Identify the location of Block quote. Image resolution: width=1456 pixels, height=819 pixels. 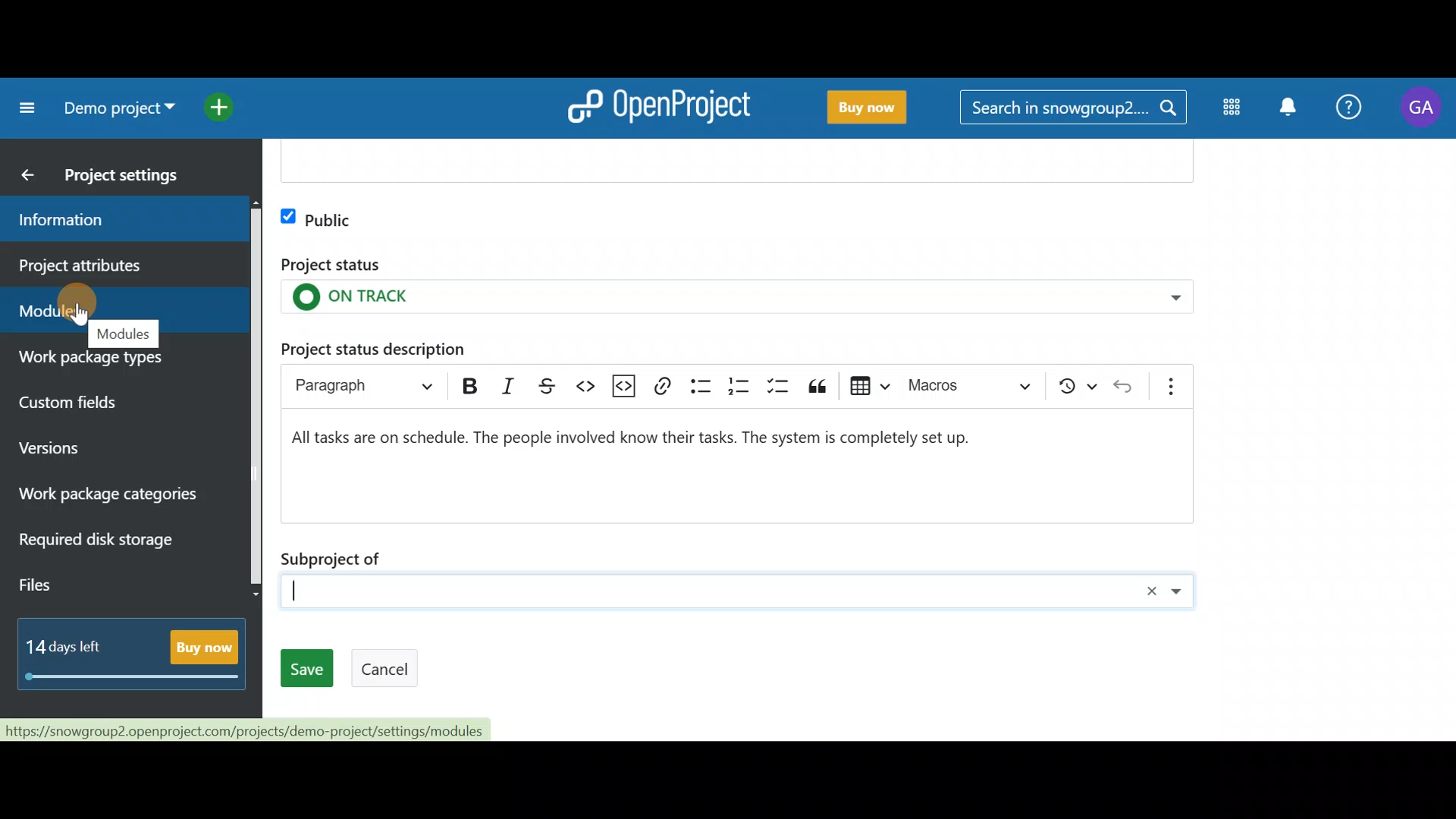
(820, 385).